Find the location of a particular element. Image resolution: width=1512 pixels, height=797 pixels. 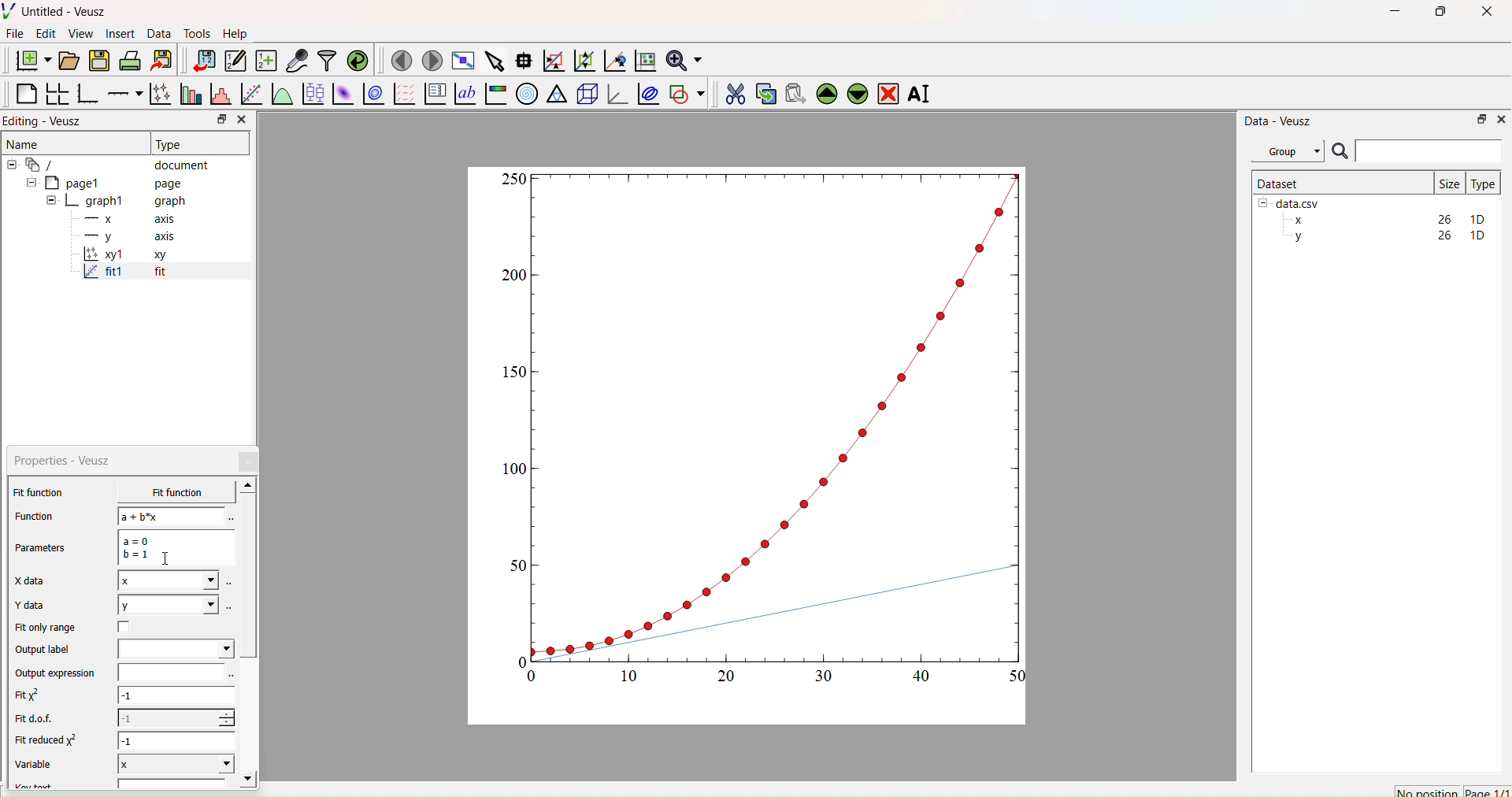

y is located at coordinates (167, 606).